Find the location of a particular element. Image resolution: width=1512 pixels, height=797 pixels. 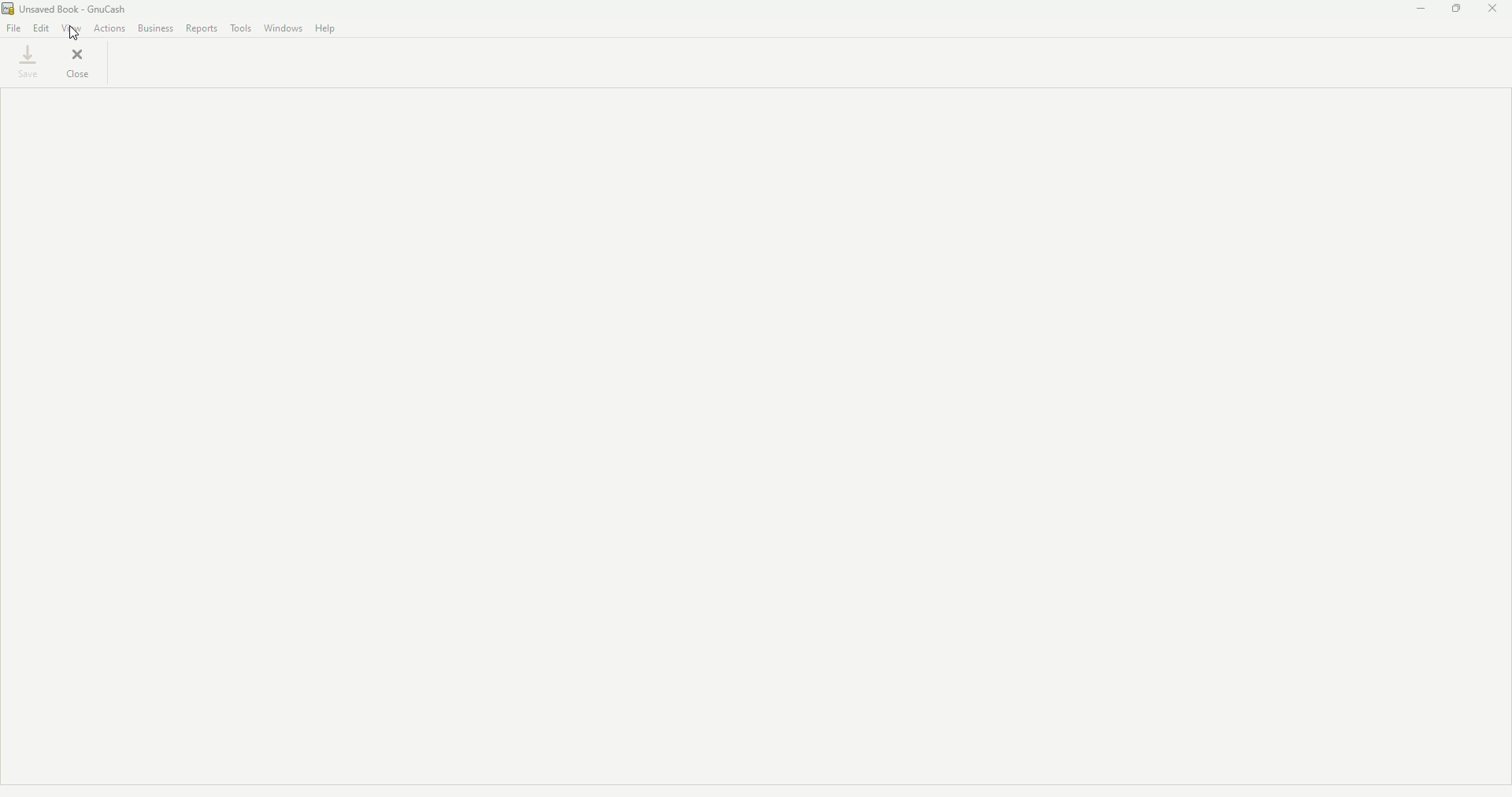

cursor is located at coordinates (74, 32).